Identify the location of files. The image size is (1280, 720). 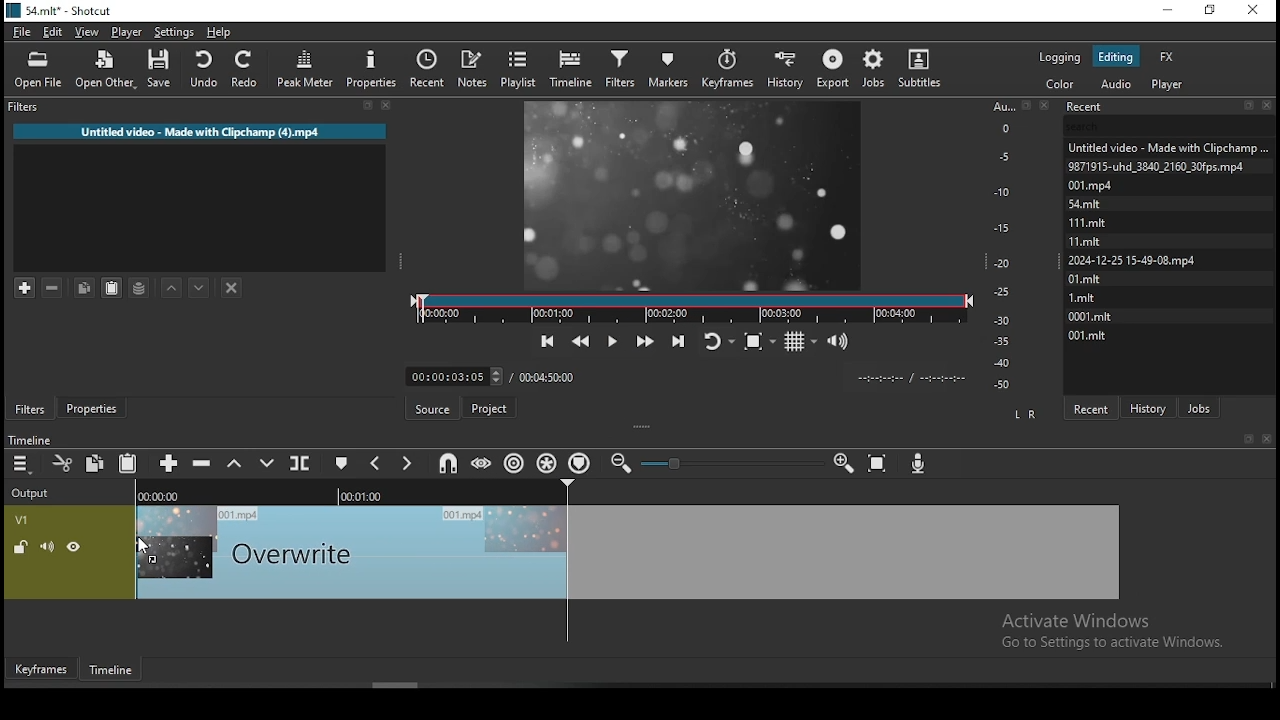
(1081, 297).